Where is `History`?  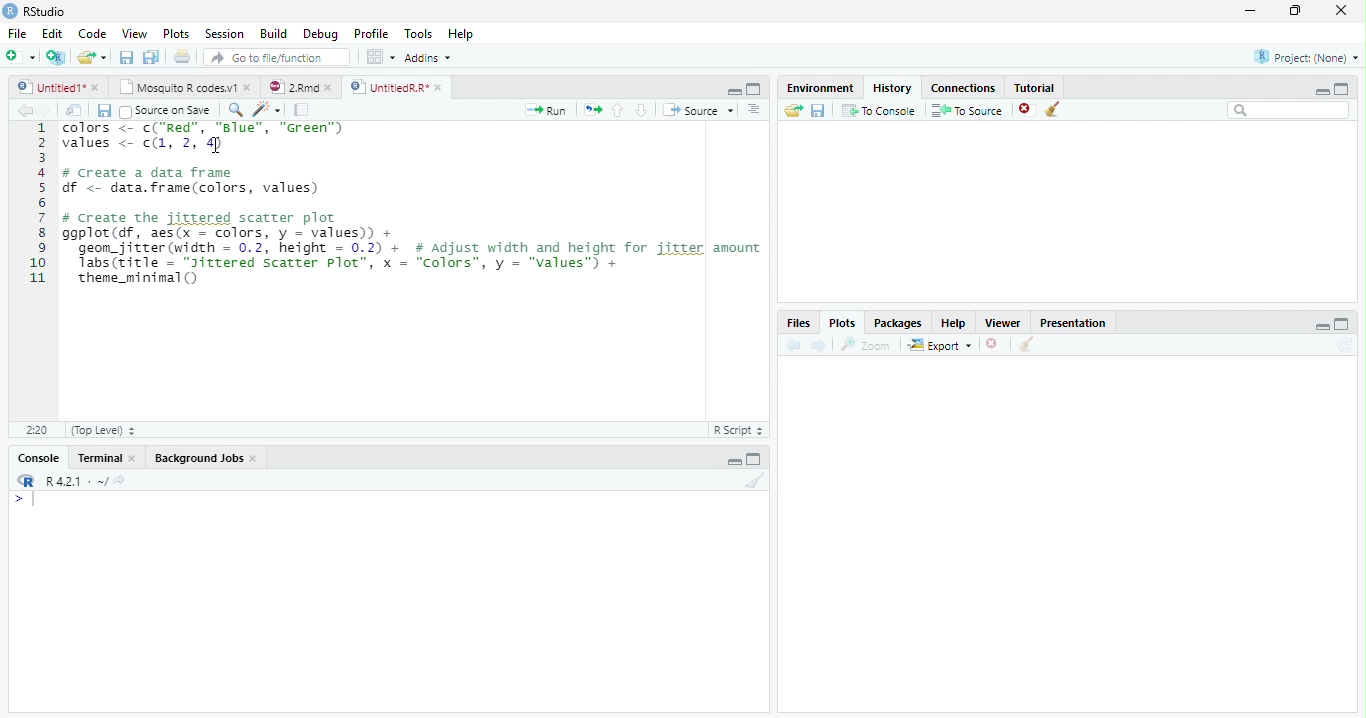 History is located at coordinates (893, 88).